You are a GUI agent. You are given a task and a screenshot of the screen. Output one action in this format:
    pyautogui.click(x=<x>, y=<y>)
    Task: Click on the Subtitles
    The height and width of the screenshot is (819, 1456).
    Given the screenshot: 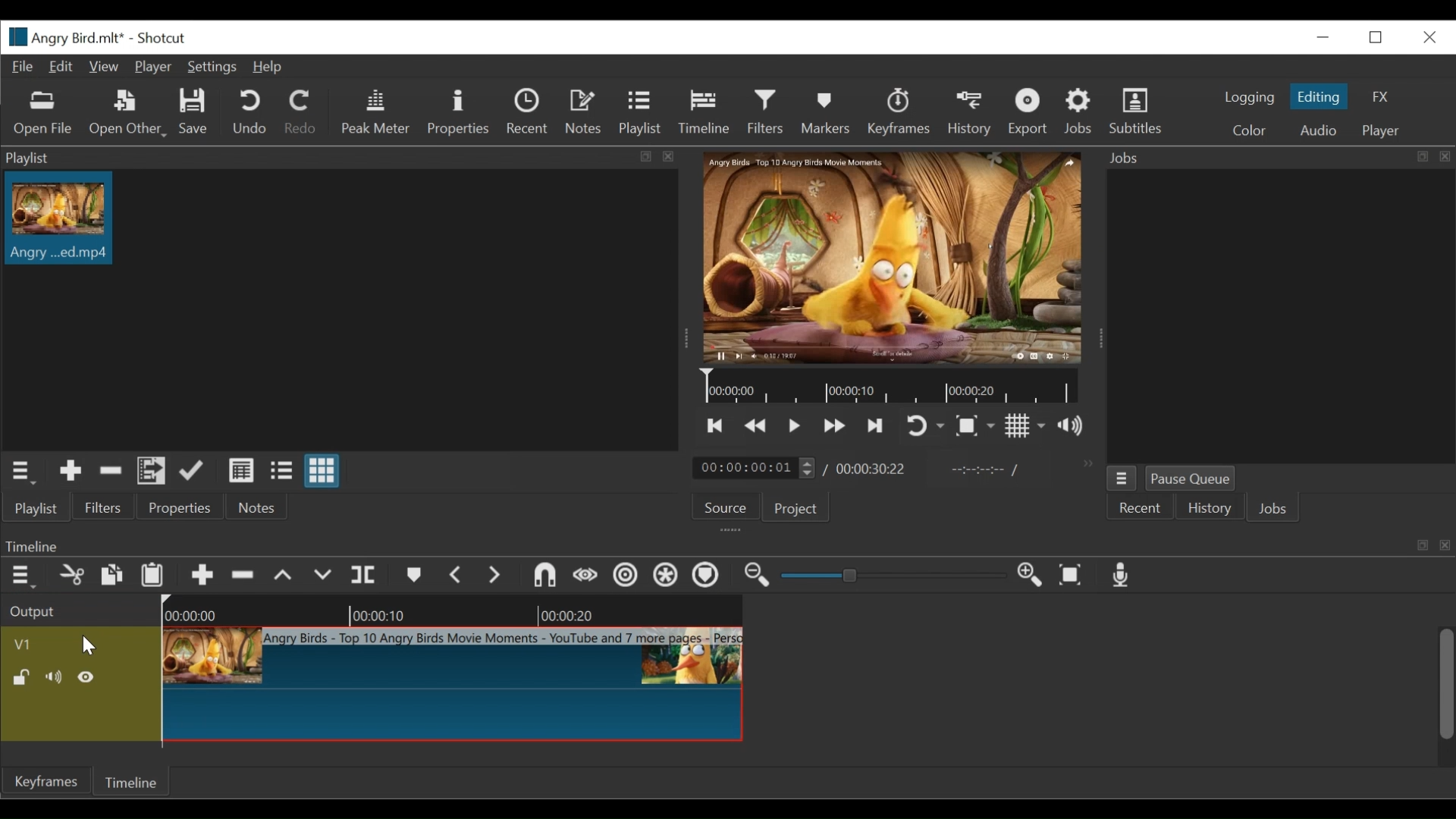 What is the action you would take?
    pyautogui.click(x=1136, y=111)
    